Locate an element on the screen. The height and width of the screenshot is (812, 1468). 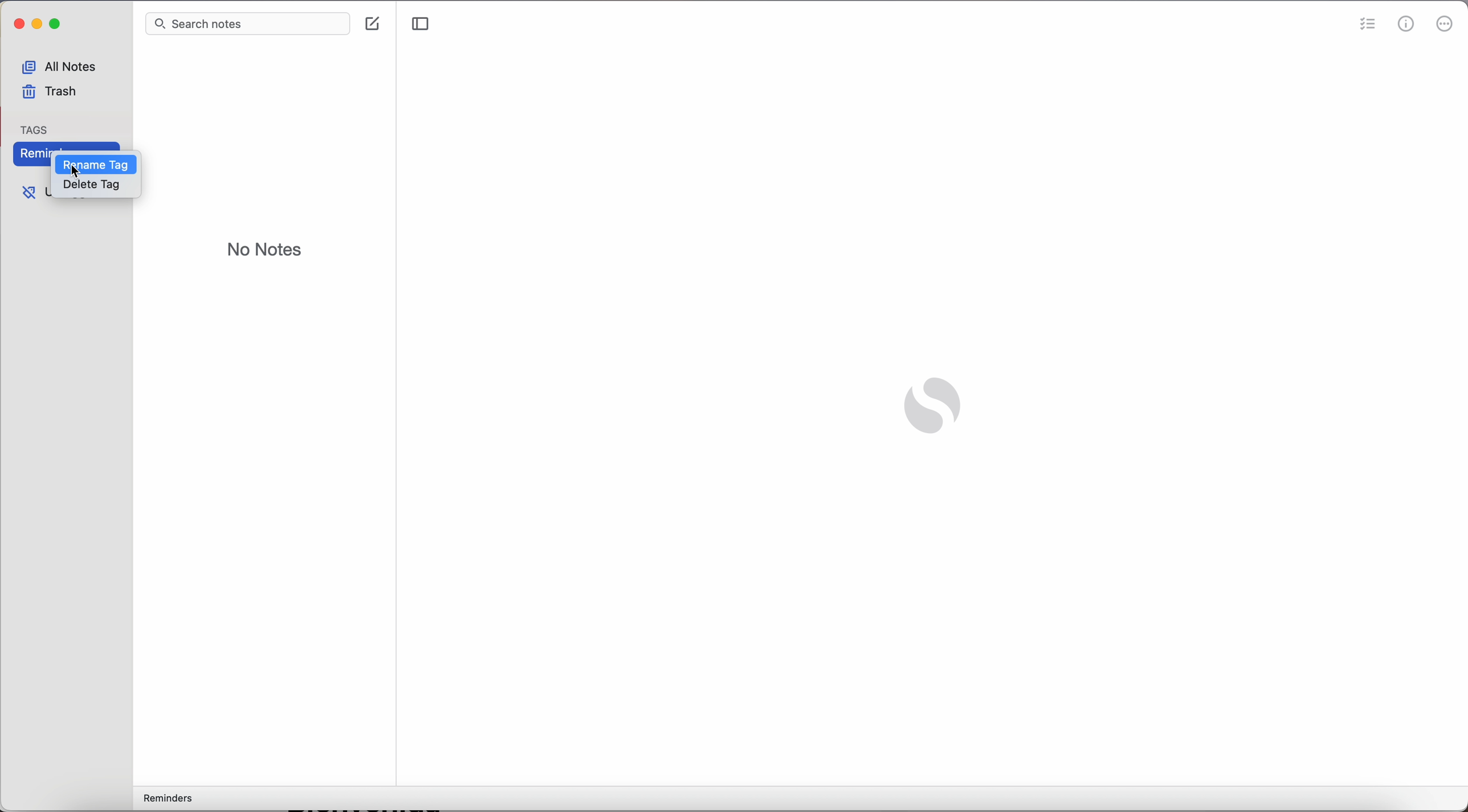
no notes is located at coordinates (265, 251).